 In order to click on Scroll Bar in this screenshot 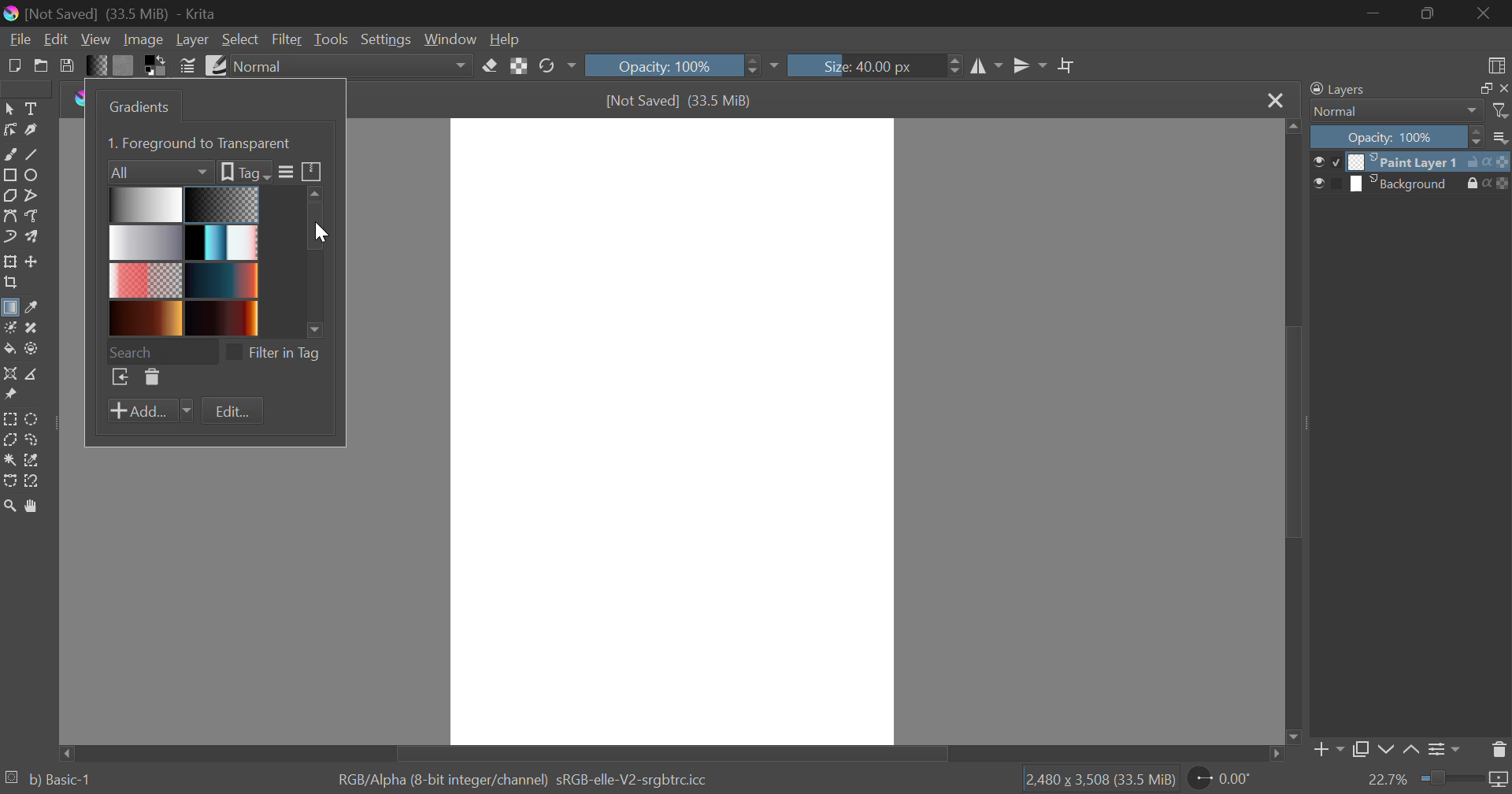, I will do `click(1291, 433)`.